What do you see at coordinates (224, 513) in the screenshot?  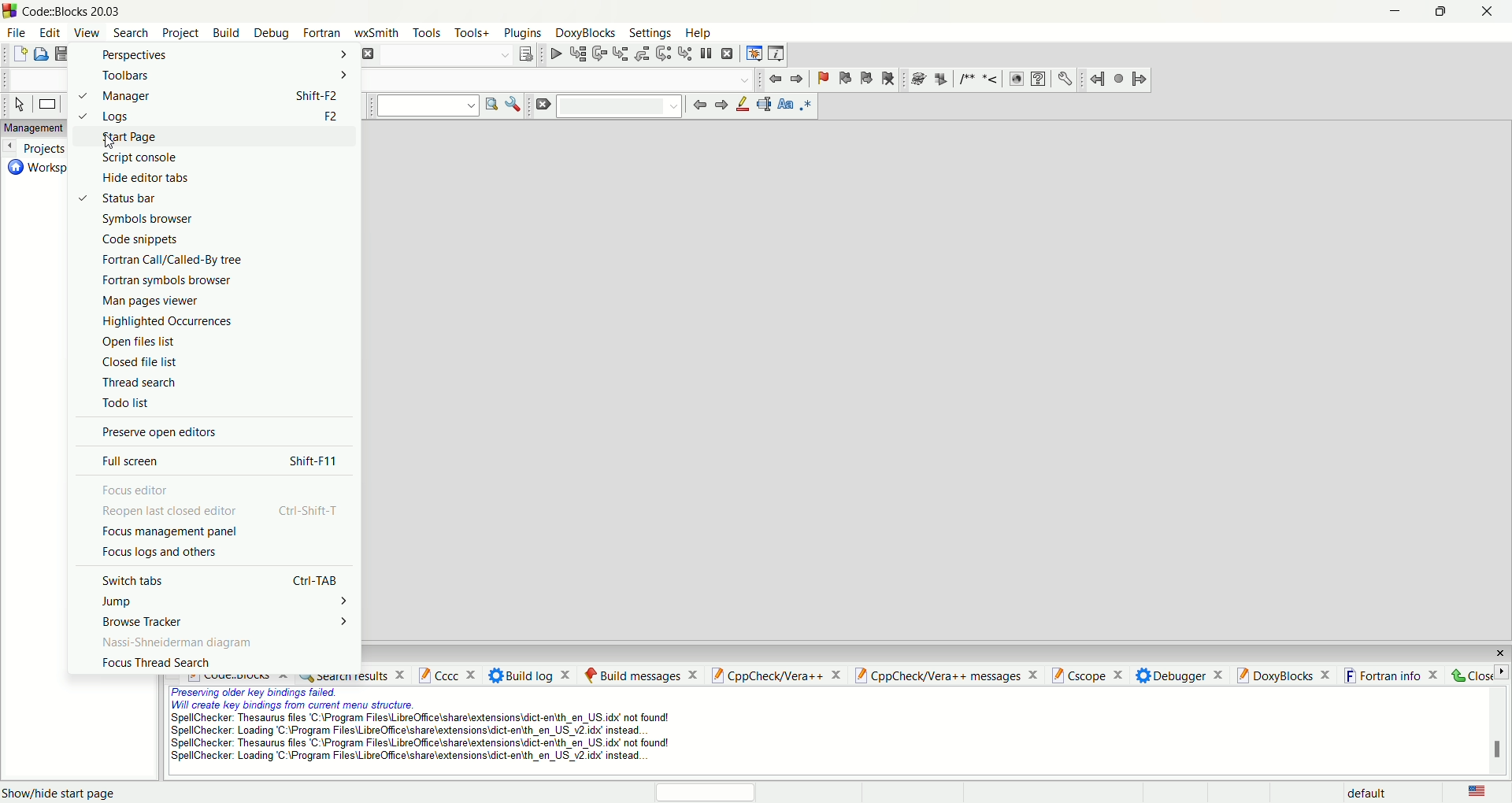 I see `reopen last closed editor` at bounding box center [224, 513].